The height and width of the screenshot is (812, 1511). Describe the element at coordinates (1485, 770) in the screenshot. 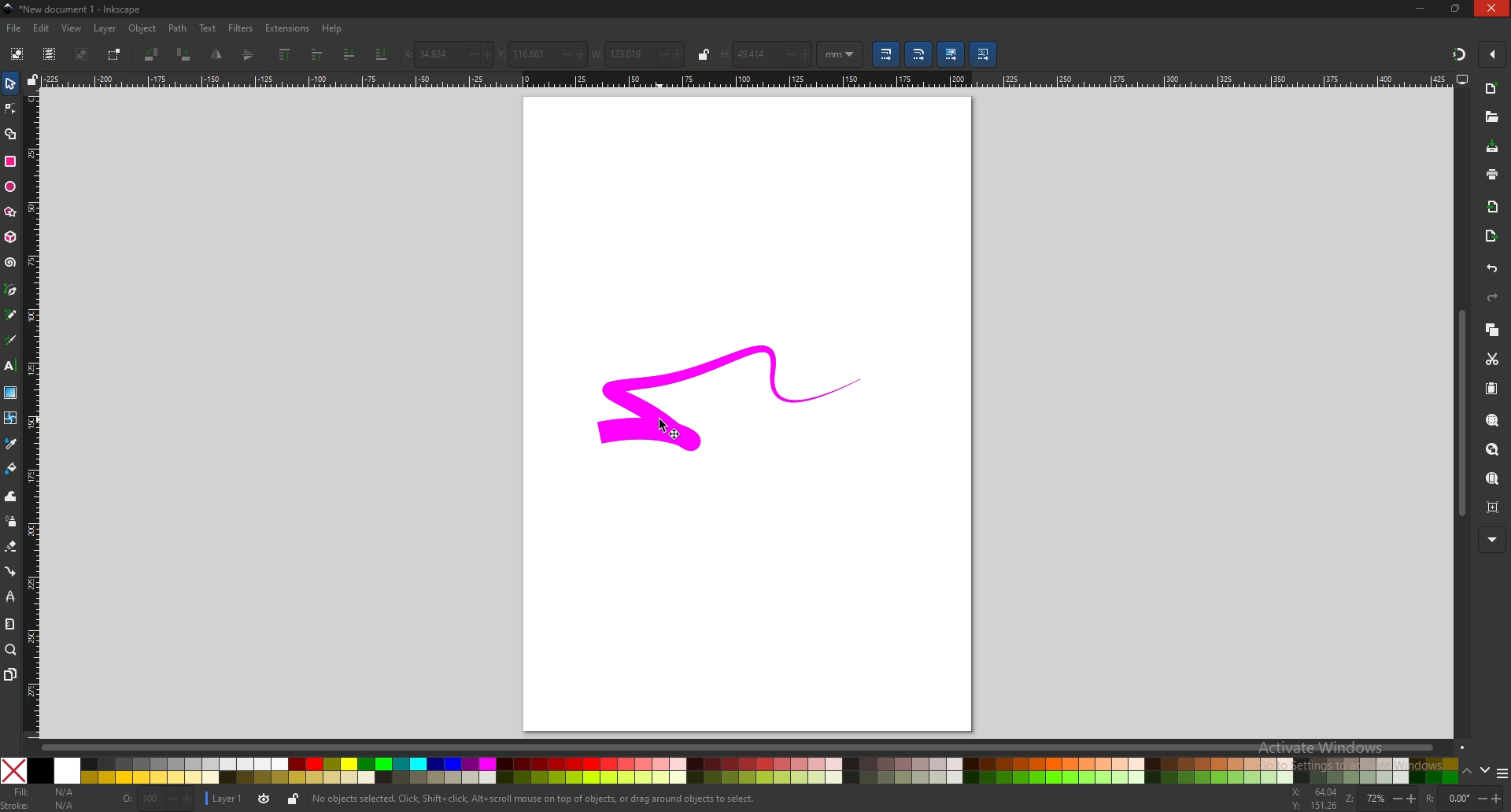

I see `down` at that location.